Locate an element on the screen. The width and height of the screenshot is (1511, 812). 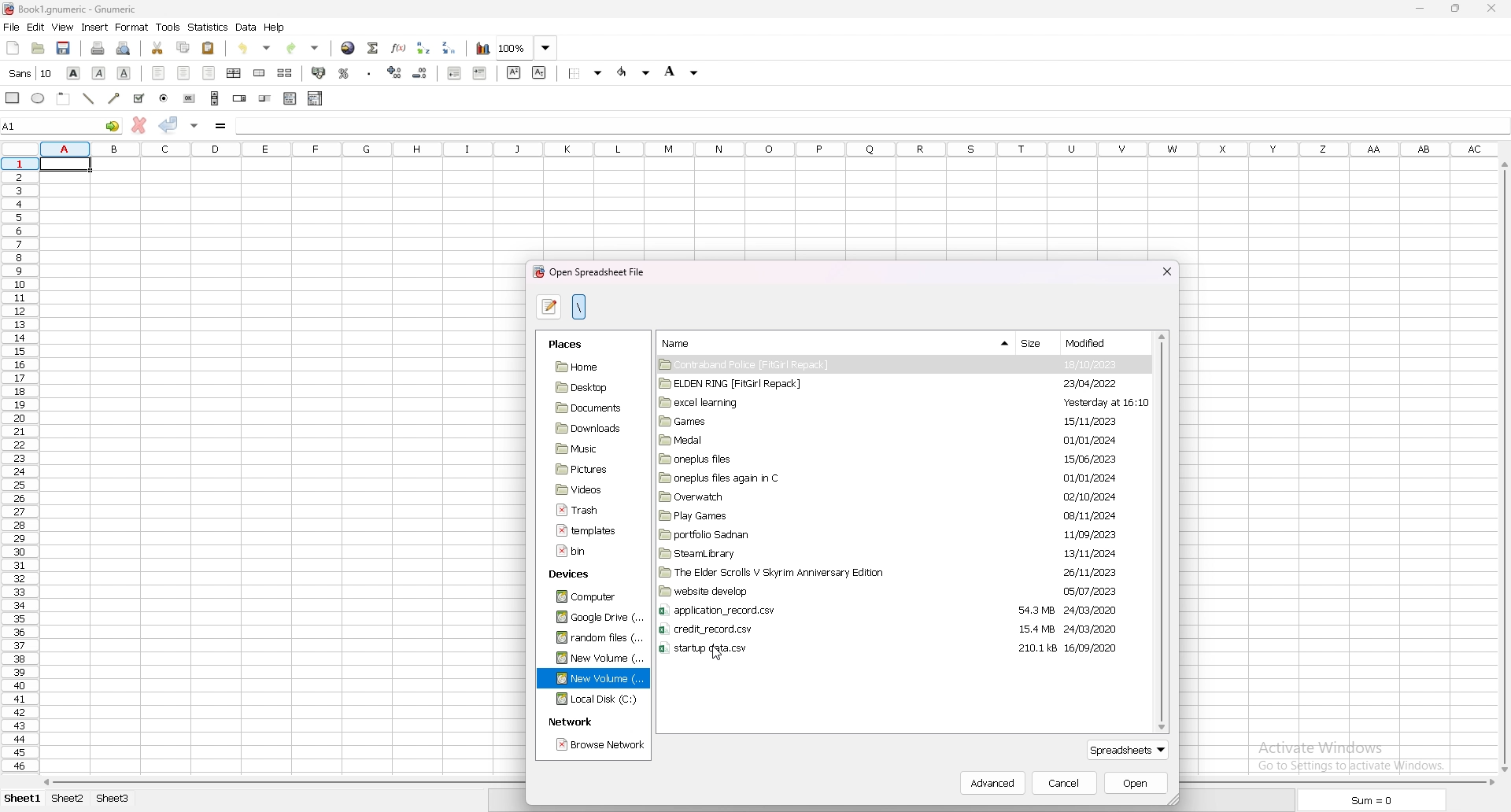
Sum = 0 is located at coordinates (1368, 795).